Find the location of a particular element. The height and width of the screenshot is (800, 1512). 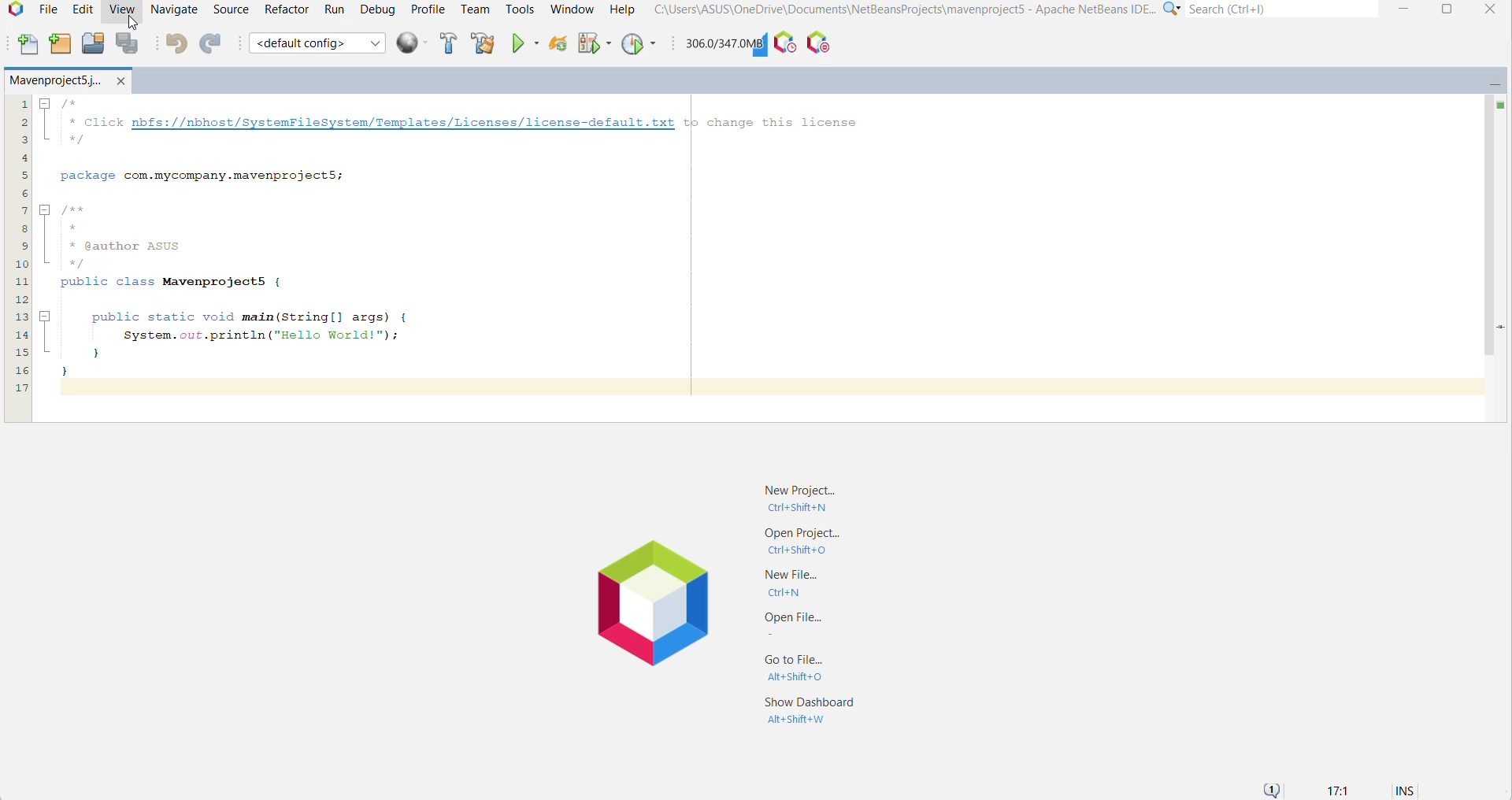

Undo is located at coordinates (175, 44).